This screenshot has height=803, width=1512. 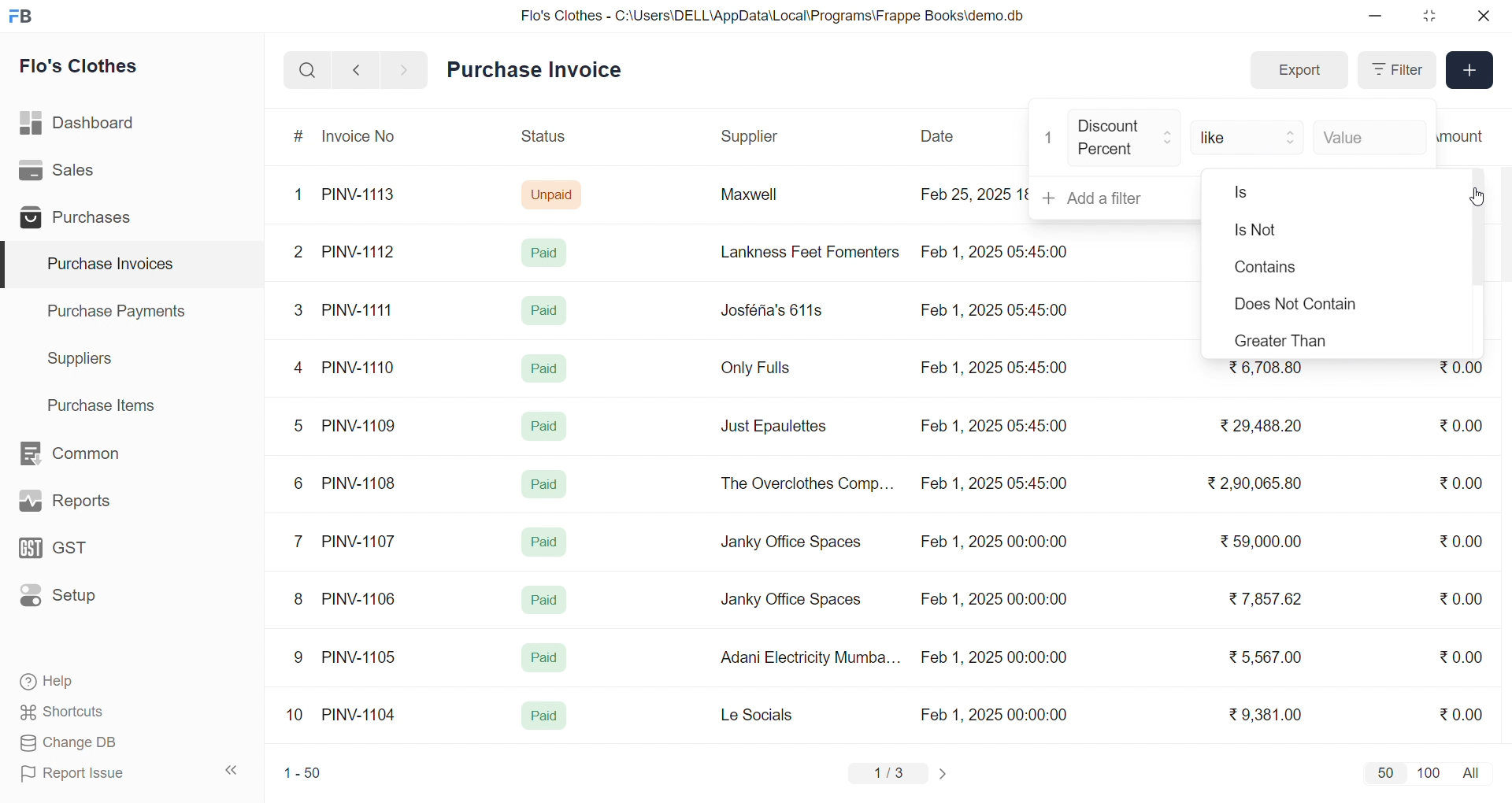 I want to click on Just Epaulettes, so click(x=780, y=427).